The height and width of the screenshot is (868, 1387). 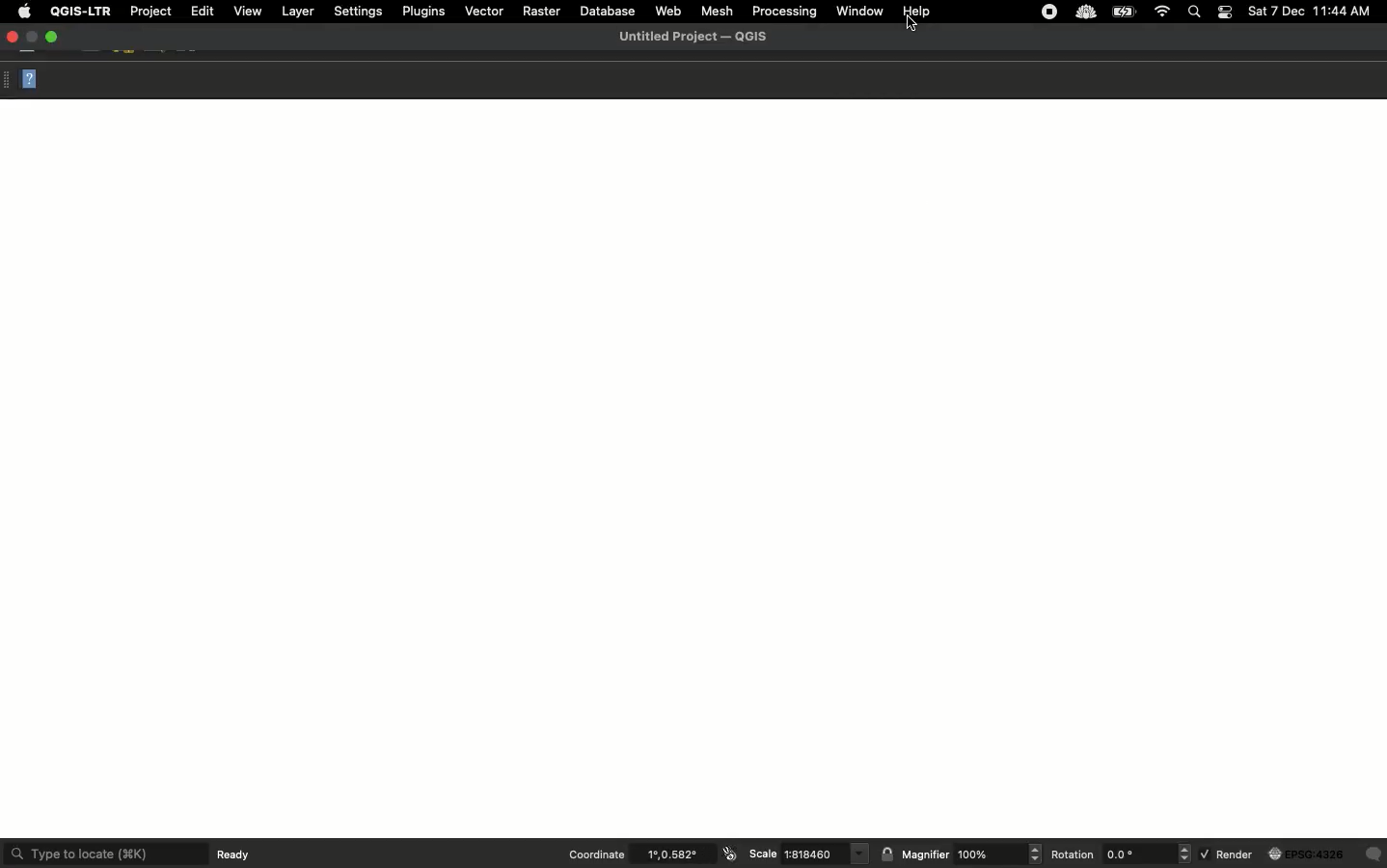 What do you see at coordinates (650, 856) in the screenshot?
I see `Coordinate` at bounding box center [650, 856].